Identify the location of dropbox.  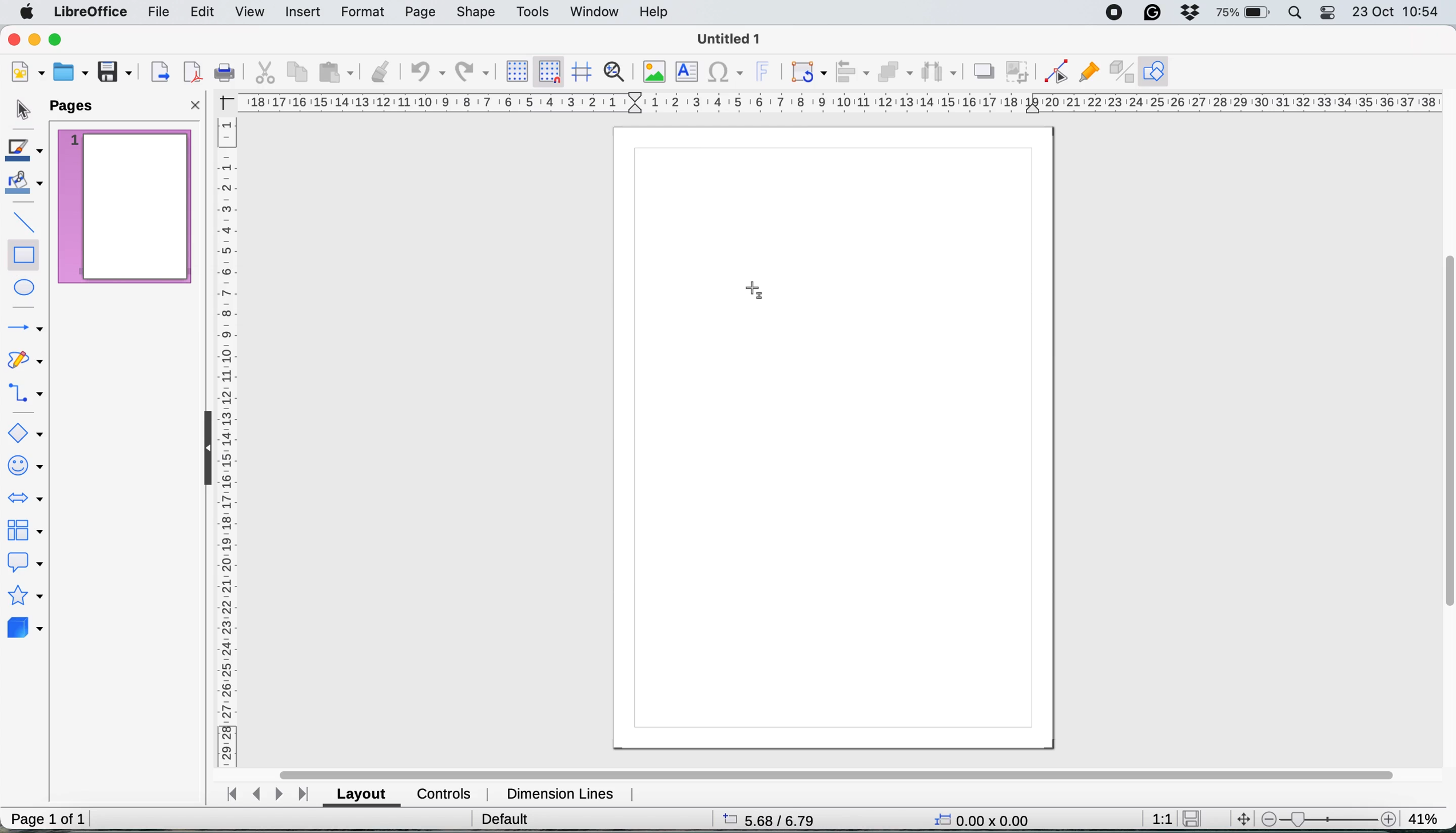
(1189, 12).